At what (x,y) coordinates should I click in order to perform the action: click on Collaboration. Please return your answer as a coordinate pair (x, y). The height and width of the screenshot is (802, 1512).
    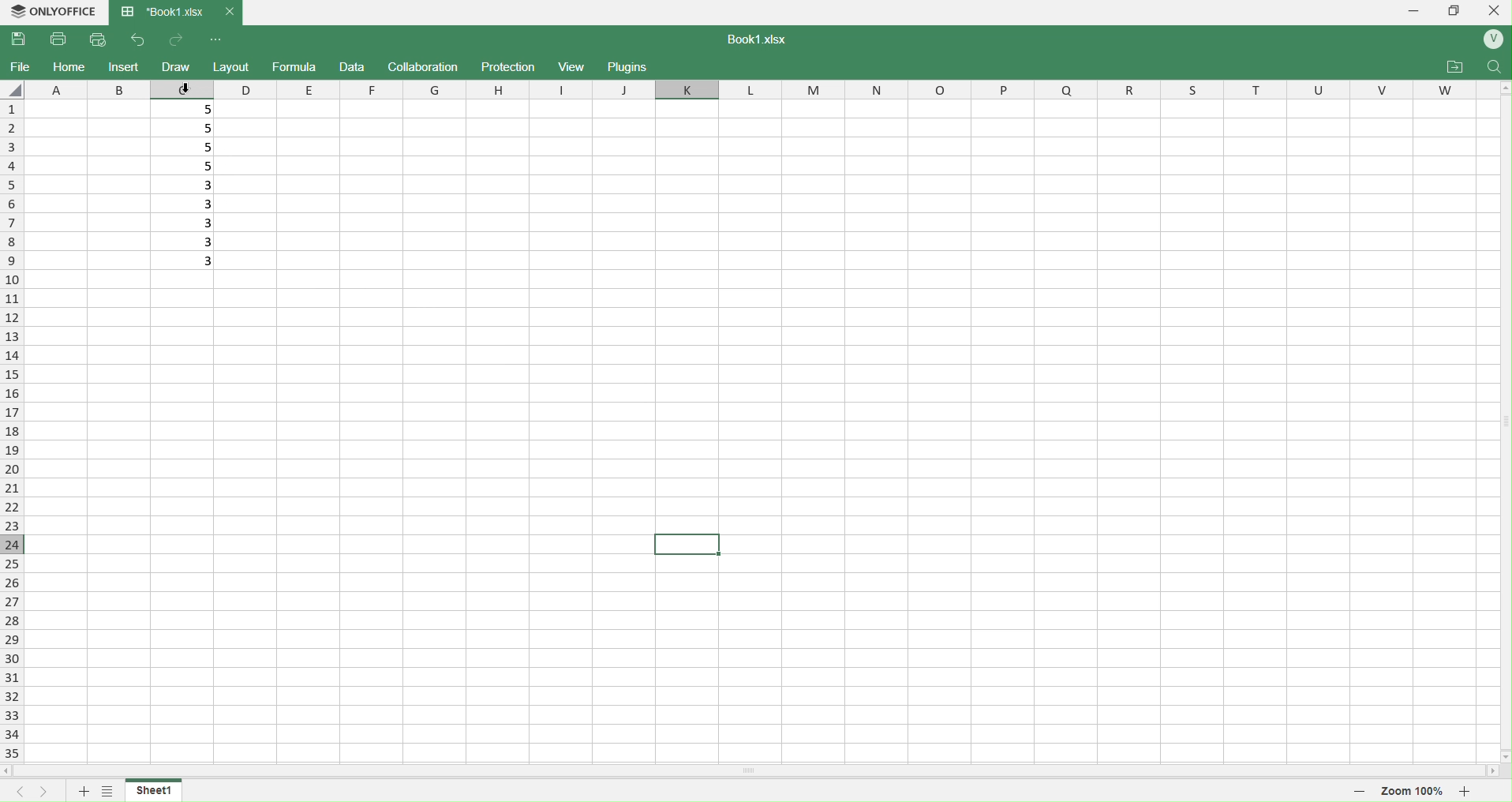
    Looking at the image, I should click on (424, 66).